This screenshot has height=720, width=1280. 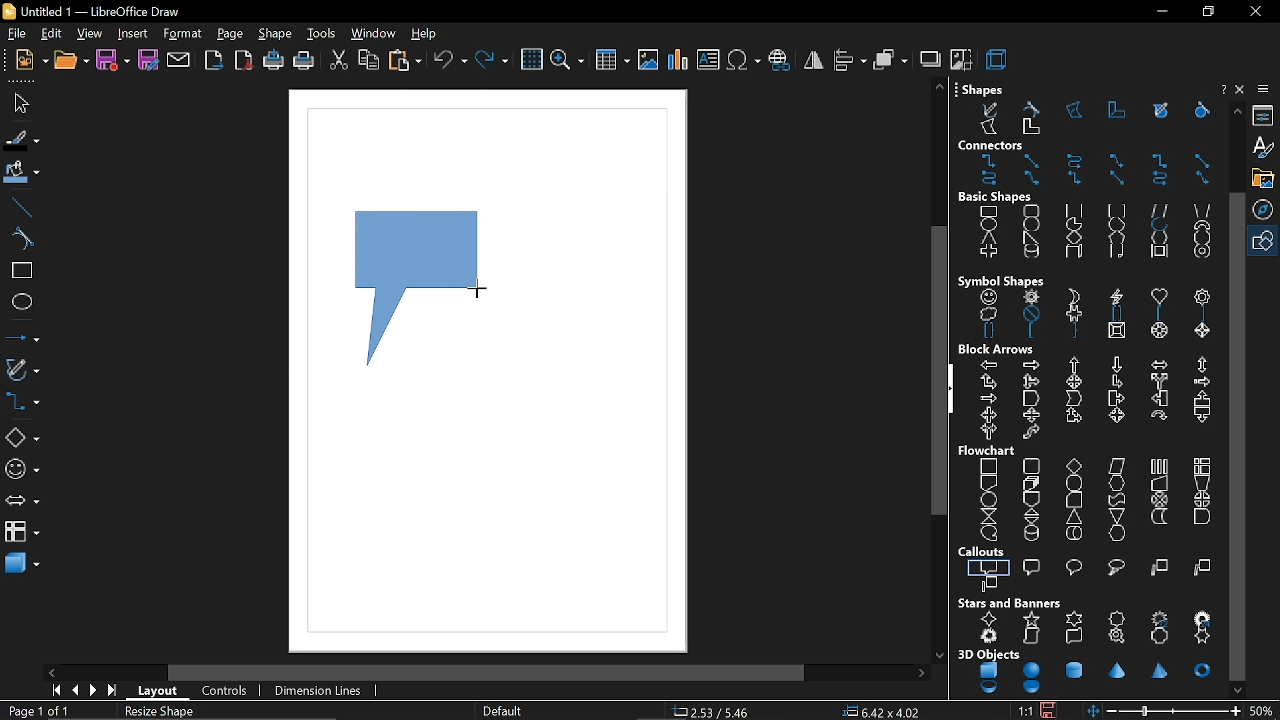 What do you see at coordinates (990, 583) in the screenshot?
I see `line 3` at bounding box center [990, 583].